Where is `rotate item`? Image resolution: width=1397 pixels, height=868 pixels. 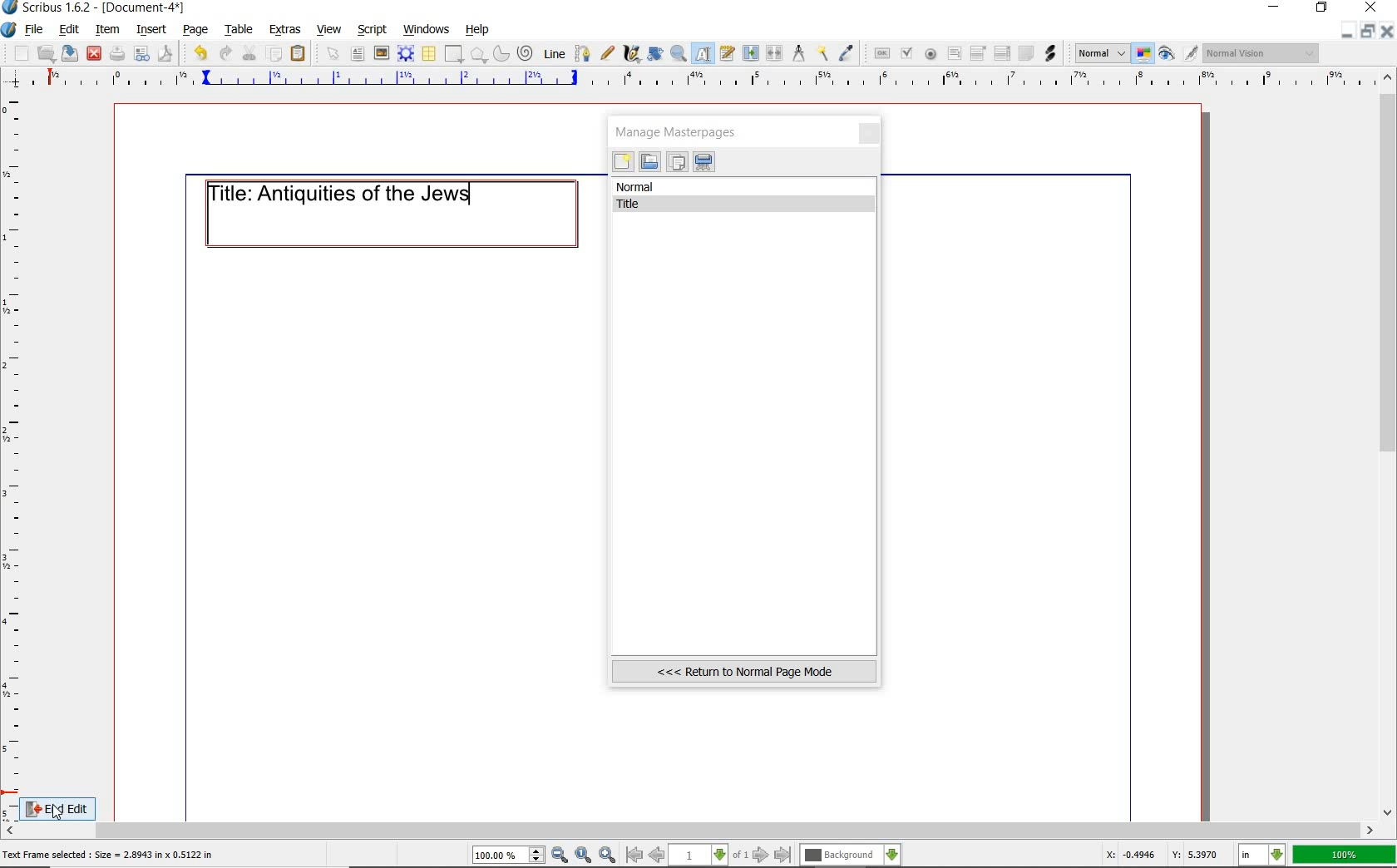 rotate item is located at coordinates (654, 55).